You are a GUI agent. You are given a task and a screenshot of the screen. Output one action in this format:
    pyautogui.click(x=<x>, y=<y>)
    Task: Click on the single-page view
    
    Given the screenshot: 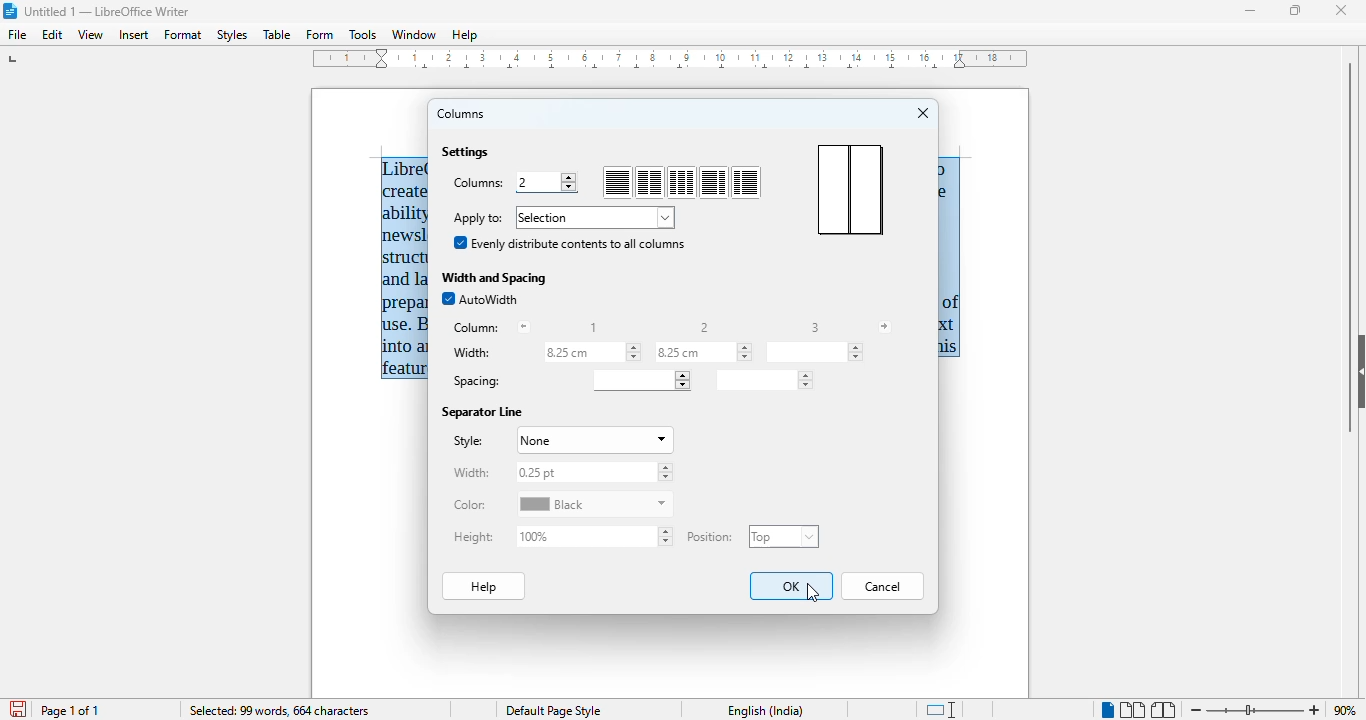 What is the action you would take?
    pyautogui.click(x=1106, y=710)
    